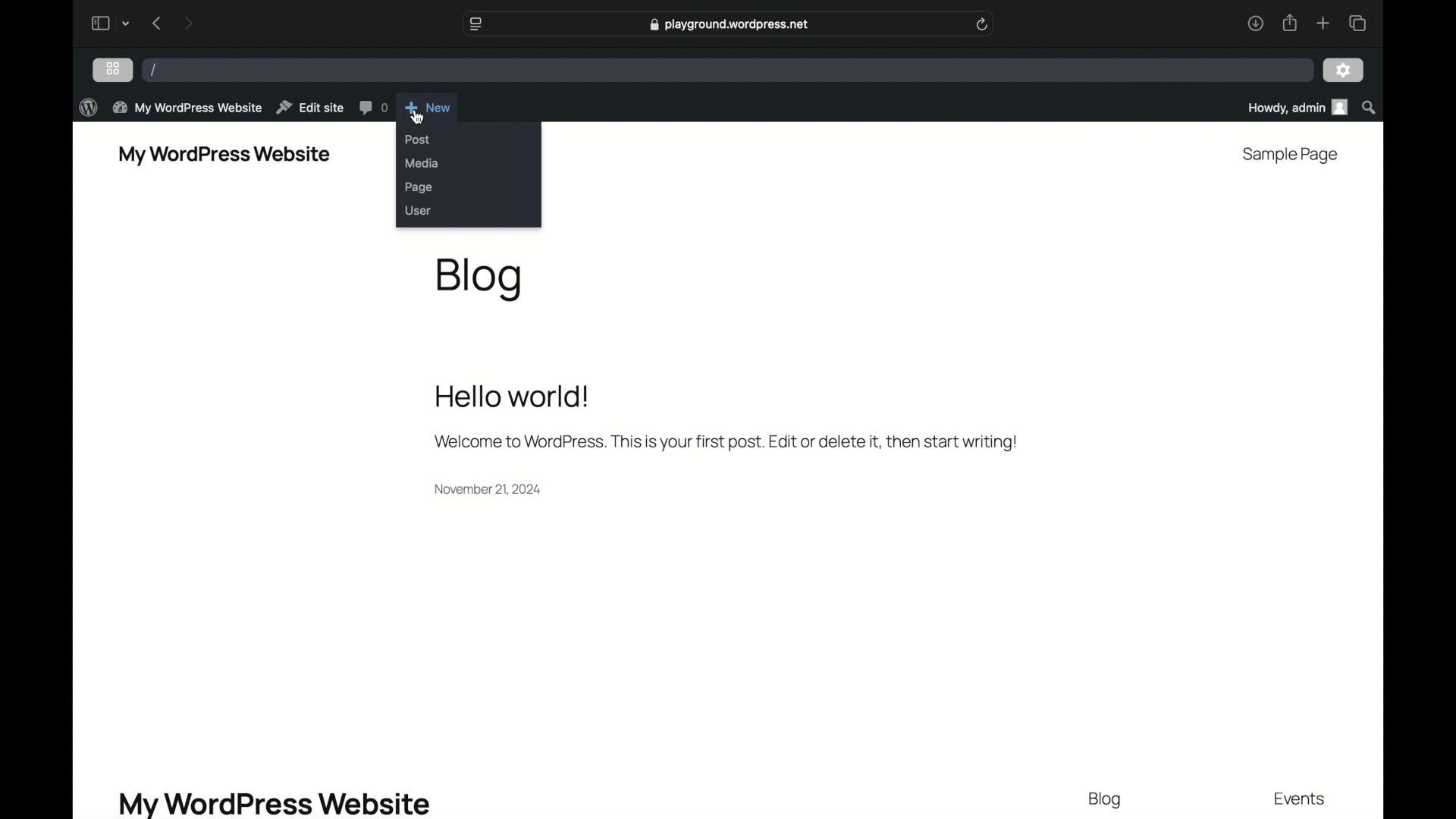 The image size is (1456, 819). Describe the element at coordinates (99, 24) in the screenshot. I see `show sidebar` at that location.